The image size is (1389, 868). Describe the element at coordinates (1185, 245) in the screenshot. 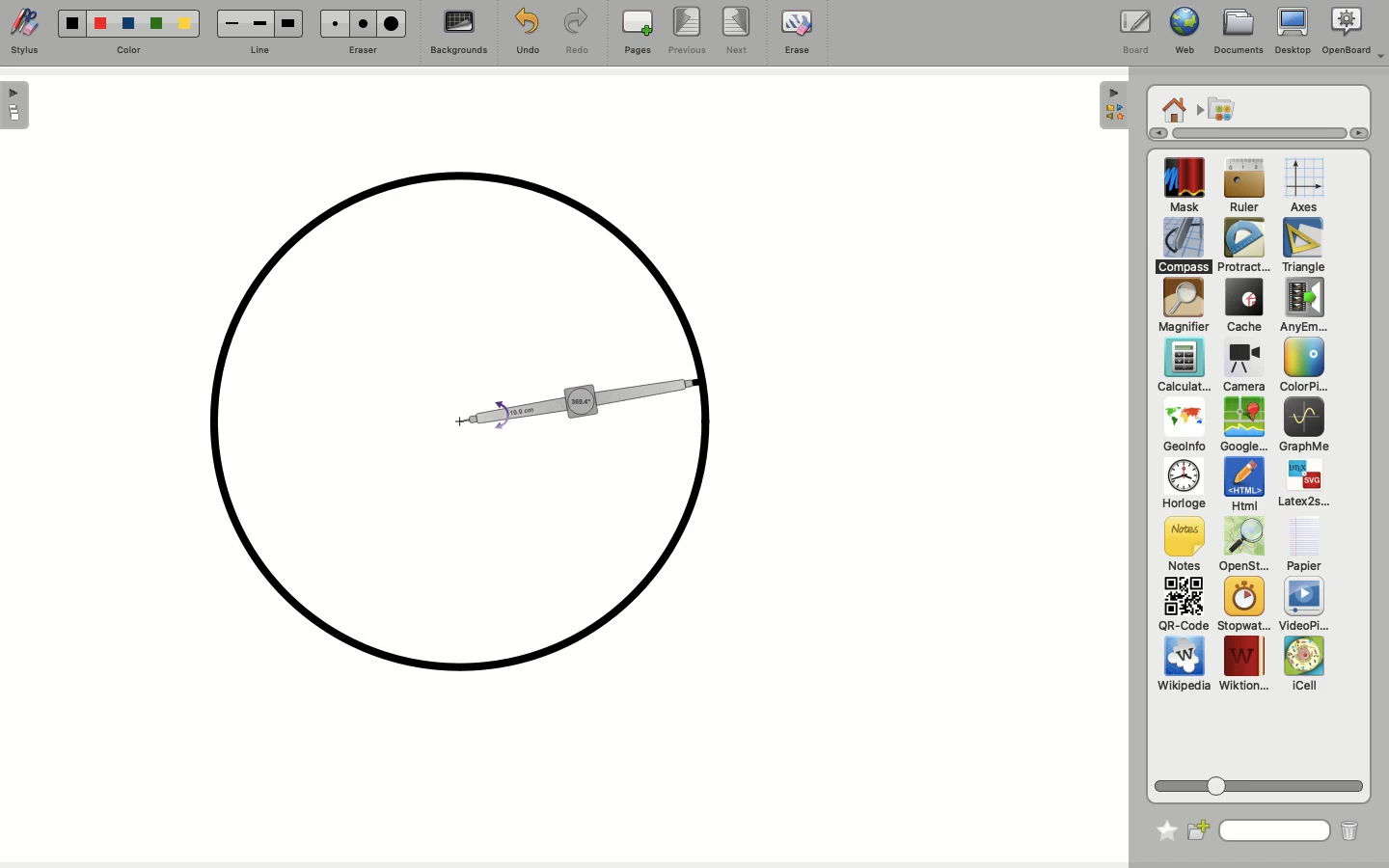

I see `Compass` at that location.